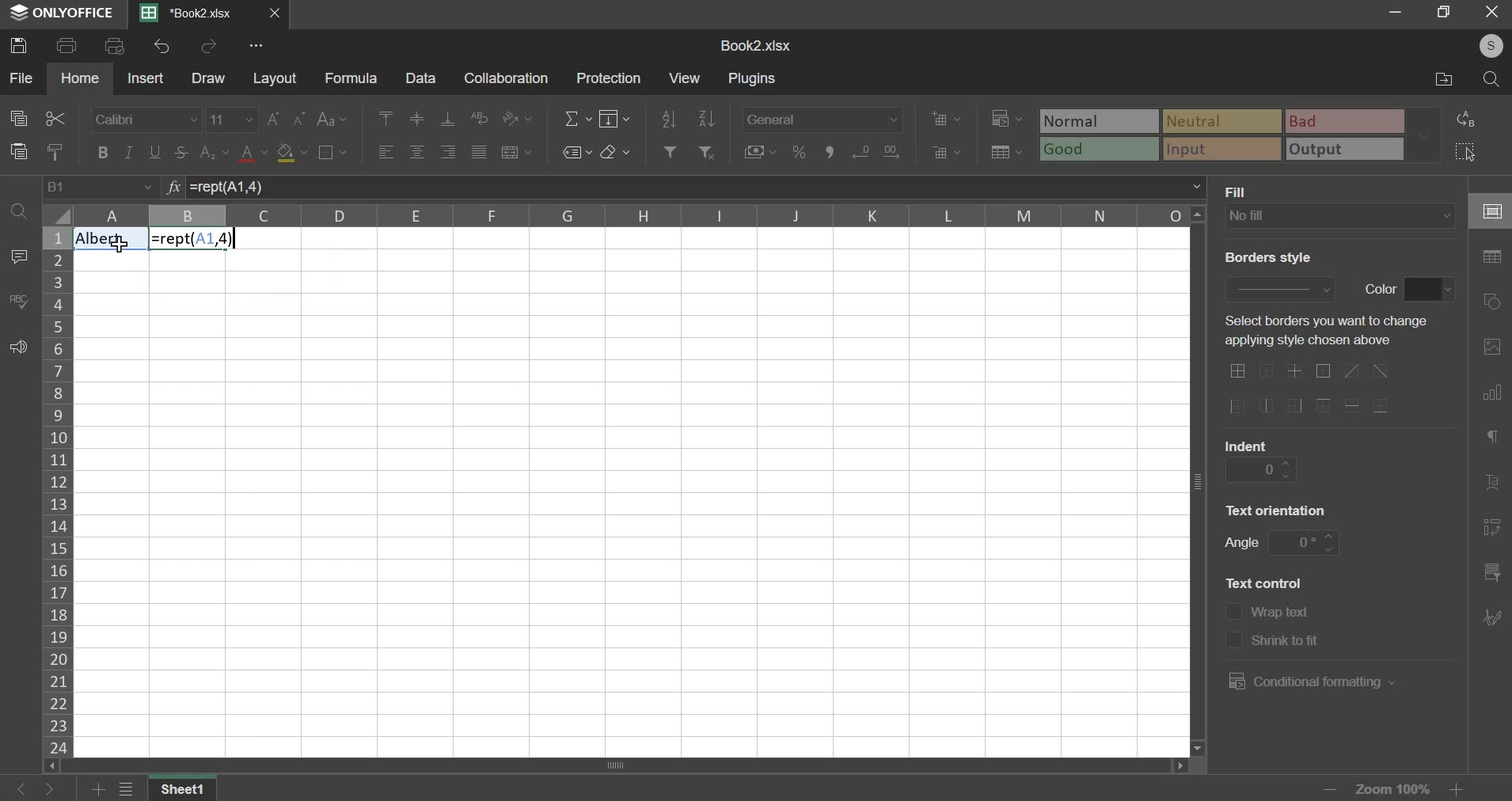 This screenshot has width=1512, height=801. Describe the element at coordinates (1464, 152) in the screenshot. I see `select` at that location.